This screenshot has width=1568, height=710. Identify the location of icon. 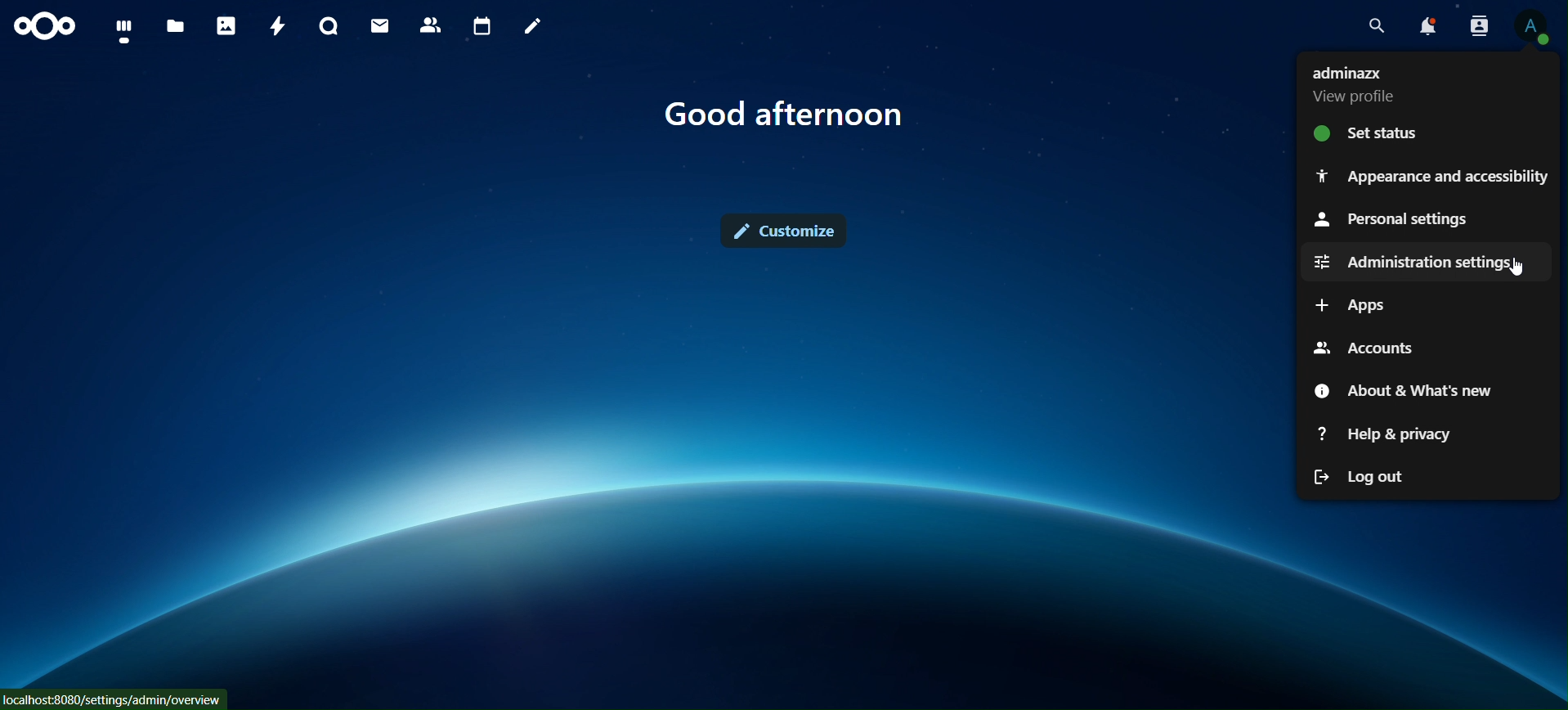
(48, 26).